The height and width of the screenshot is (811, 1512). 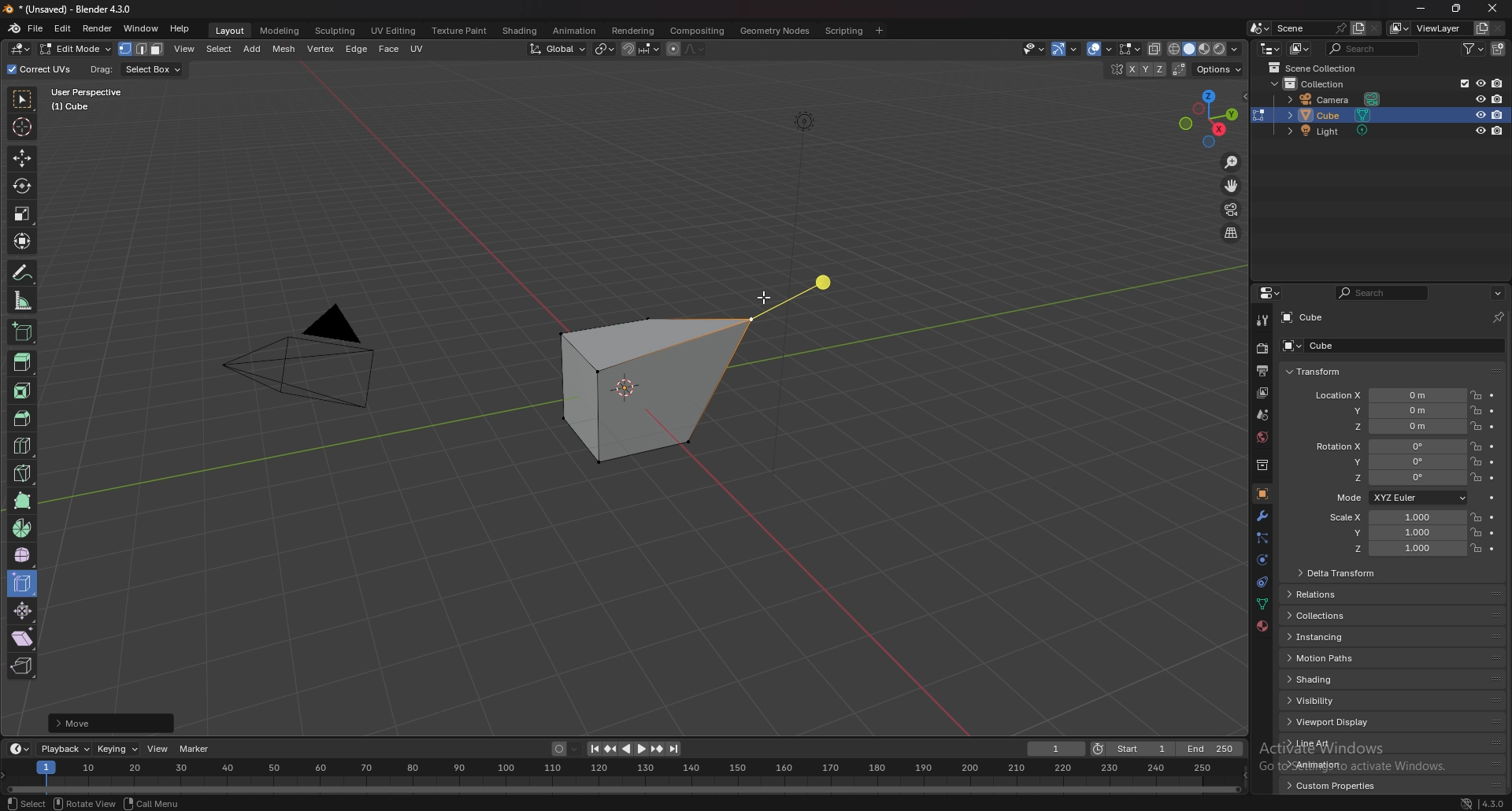 I want to click on view, so click(x=185, y=50).